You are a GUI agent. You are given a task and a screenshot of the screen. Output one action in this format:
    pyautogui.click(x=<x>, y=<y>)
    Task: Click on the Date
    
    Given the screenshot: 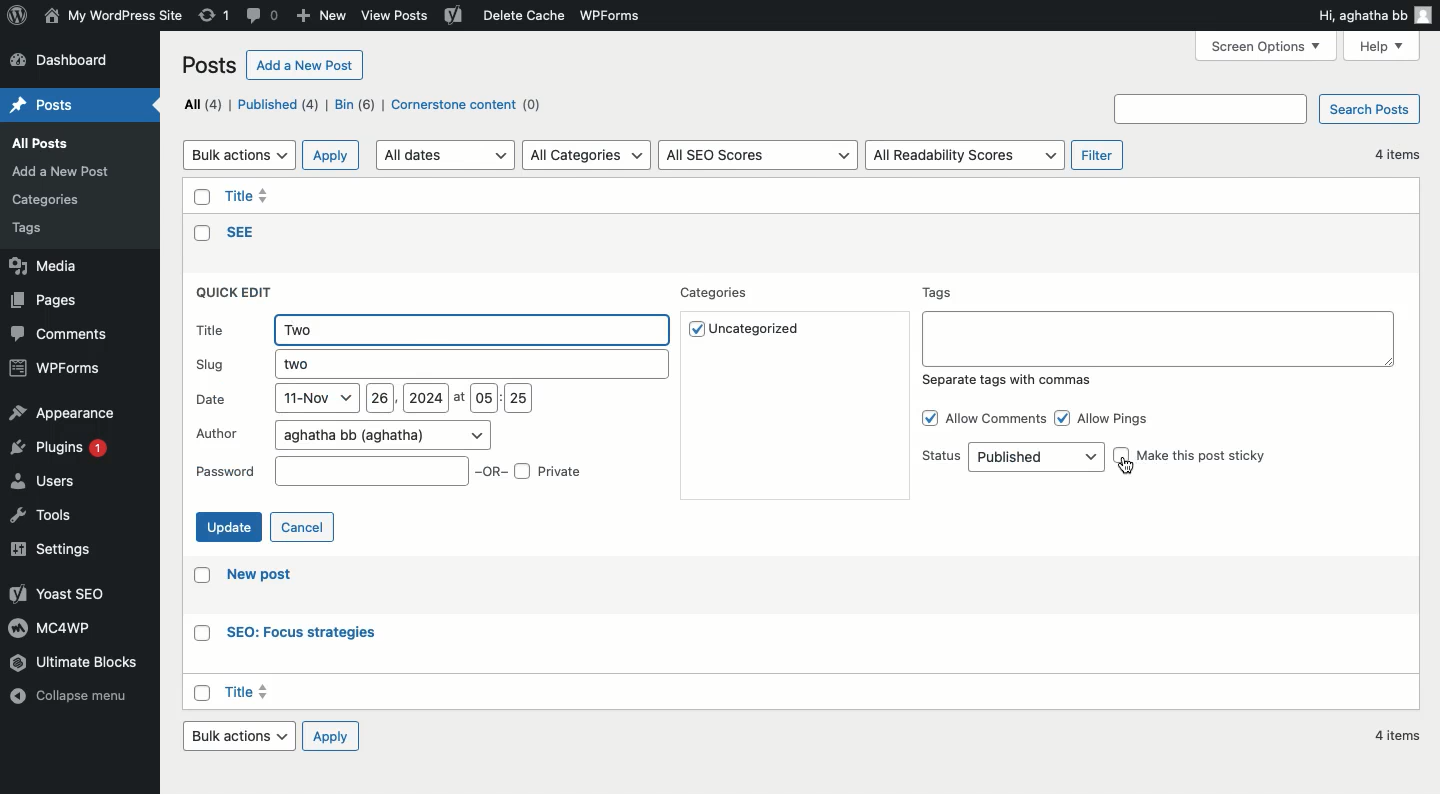 What is the action you would take?
    pyautogui.click(x=362, y=401)
    